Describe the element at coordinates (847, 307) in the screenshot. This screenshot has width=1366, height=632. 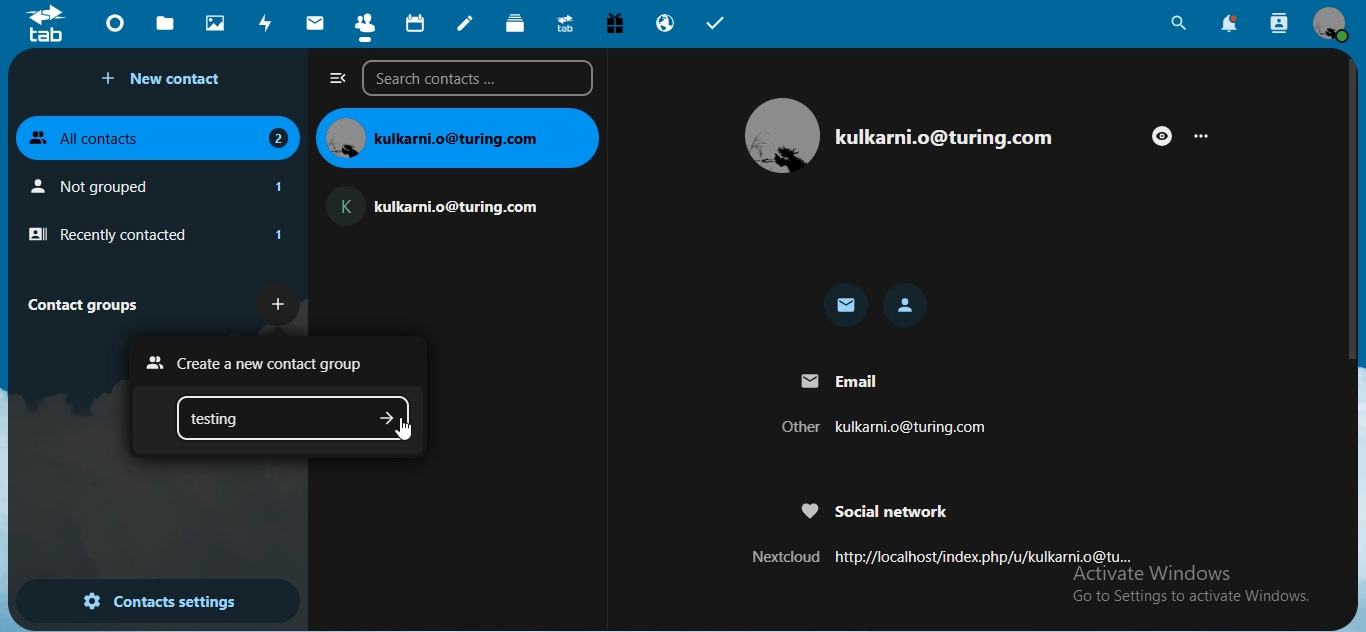
I see `mail` at that location.